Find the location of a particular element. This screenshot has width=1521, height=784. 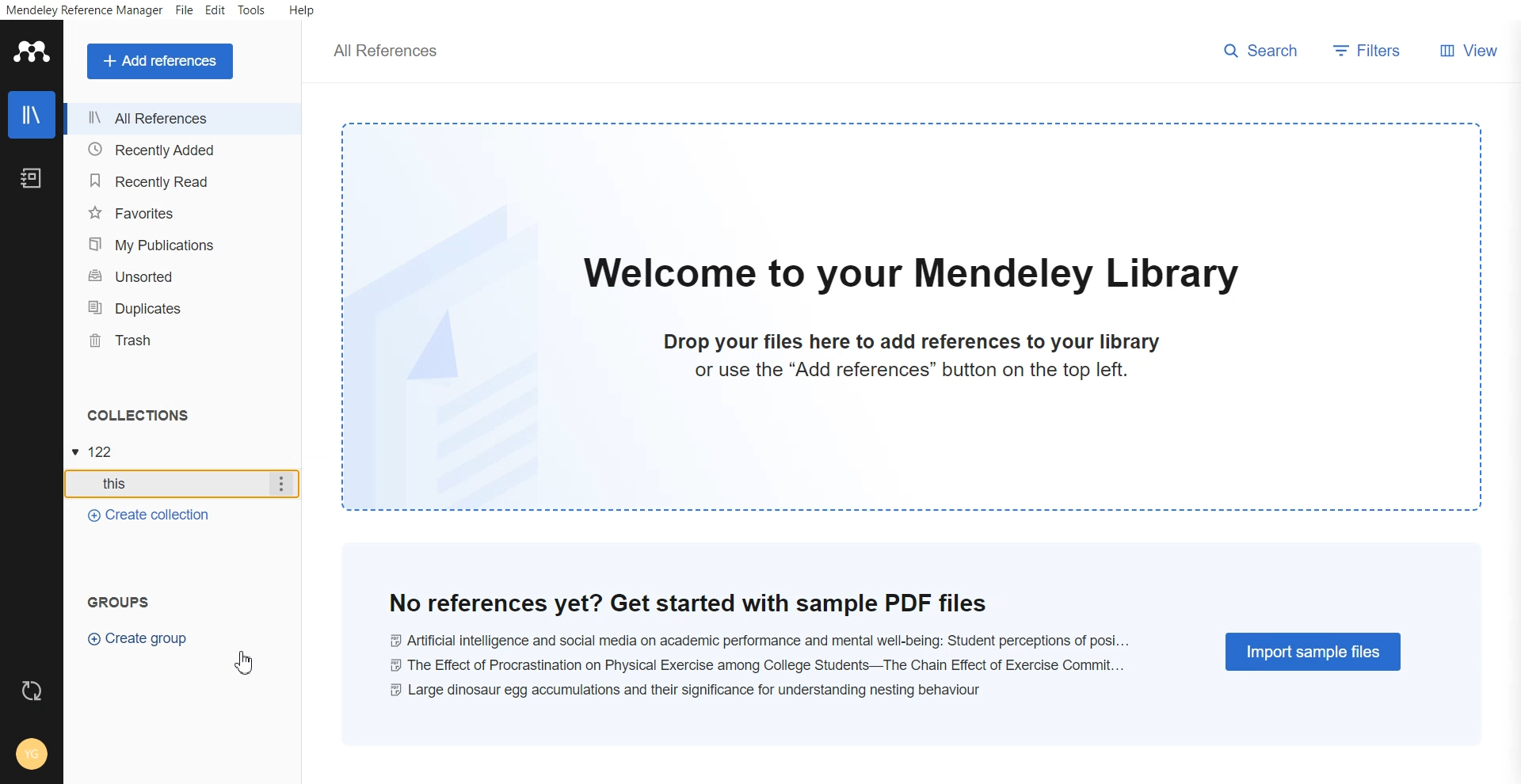

large dinosaur egg accumulations and their significance for understanding nestling behaviour is located at coordinates (696, 688).